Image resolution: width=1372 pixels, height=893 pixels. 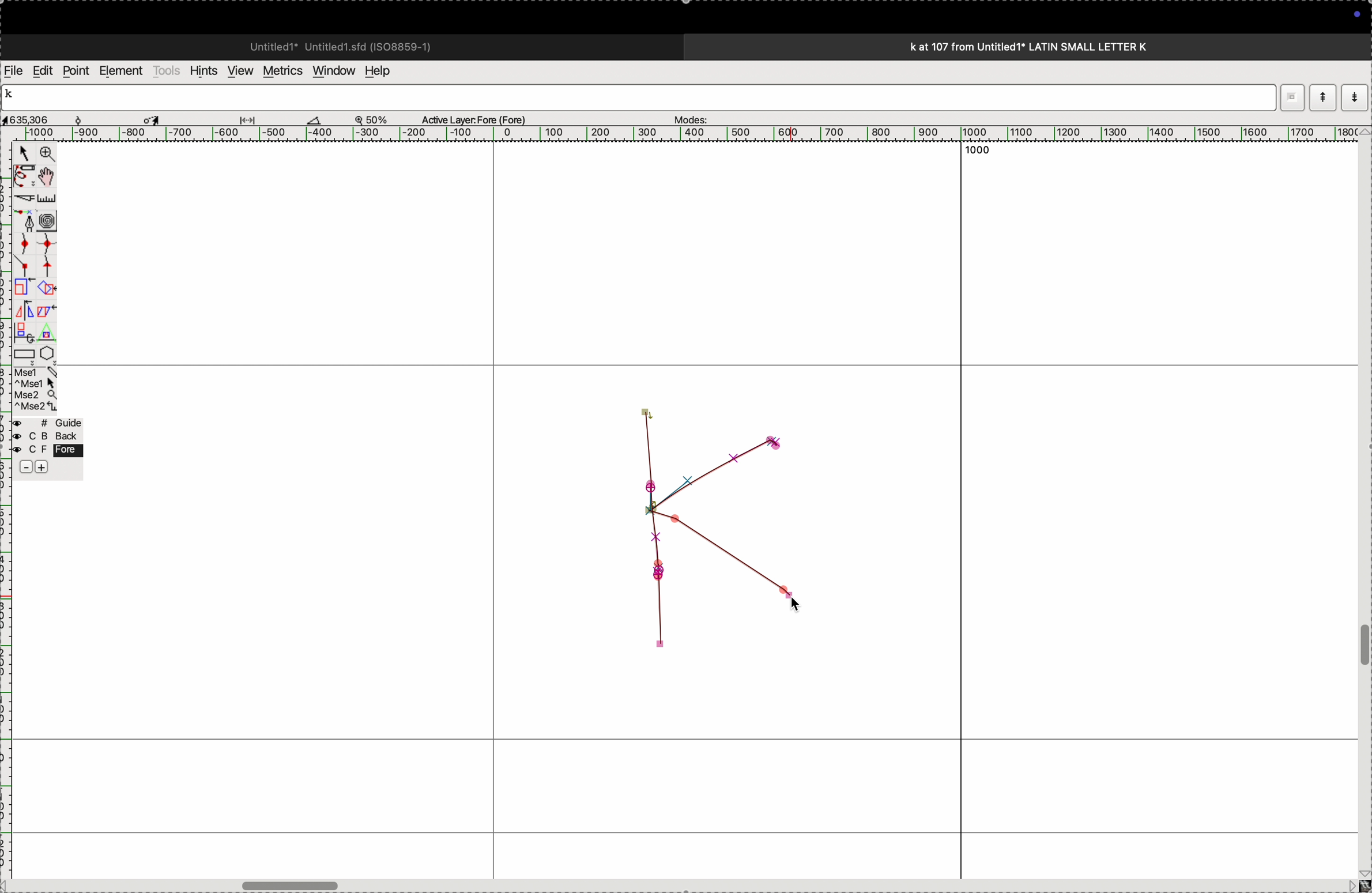 I want to click on untitled std, so click(x=345, y=46).